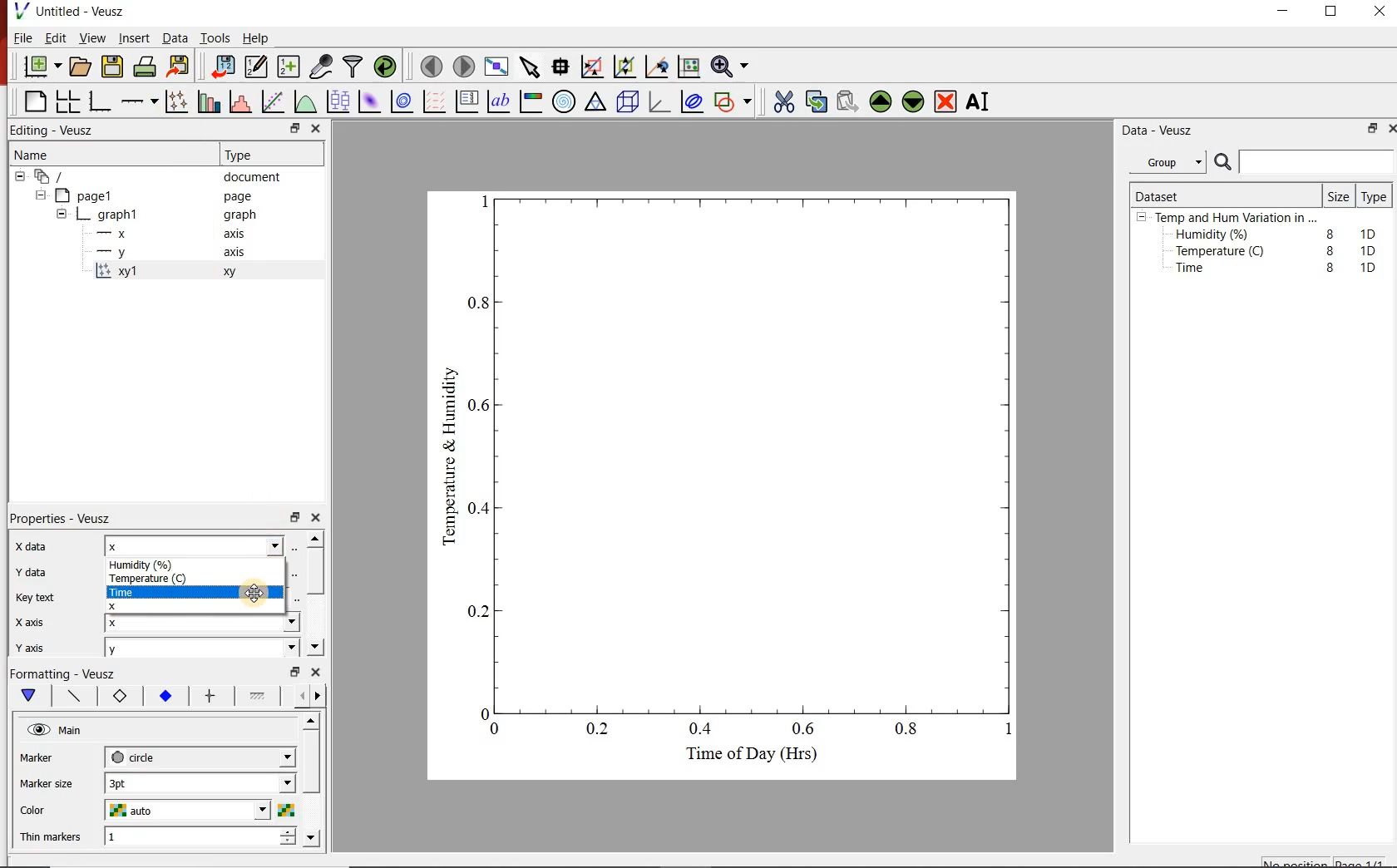 The width and height of the screenshot is (1397, 868). What do you see at coordinates (481, 409) in the screenshot?
I see `0.6` at bounding box center [481, 409].